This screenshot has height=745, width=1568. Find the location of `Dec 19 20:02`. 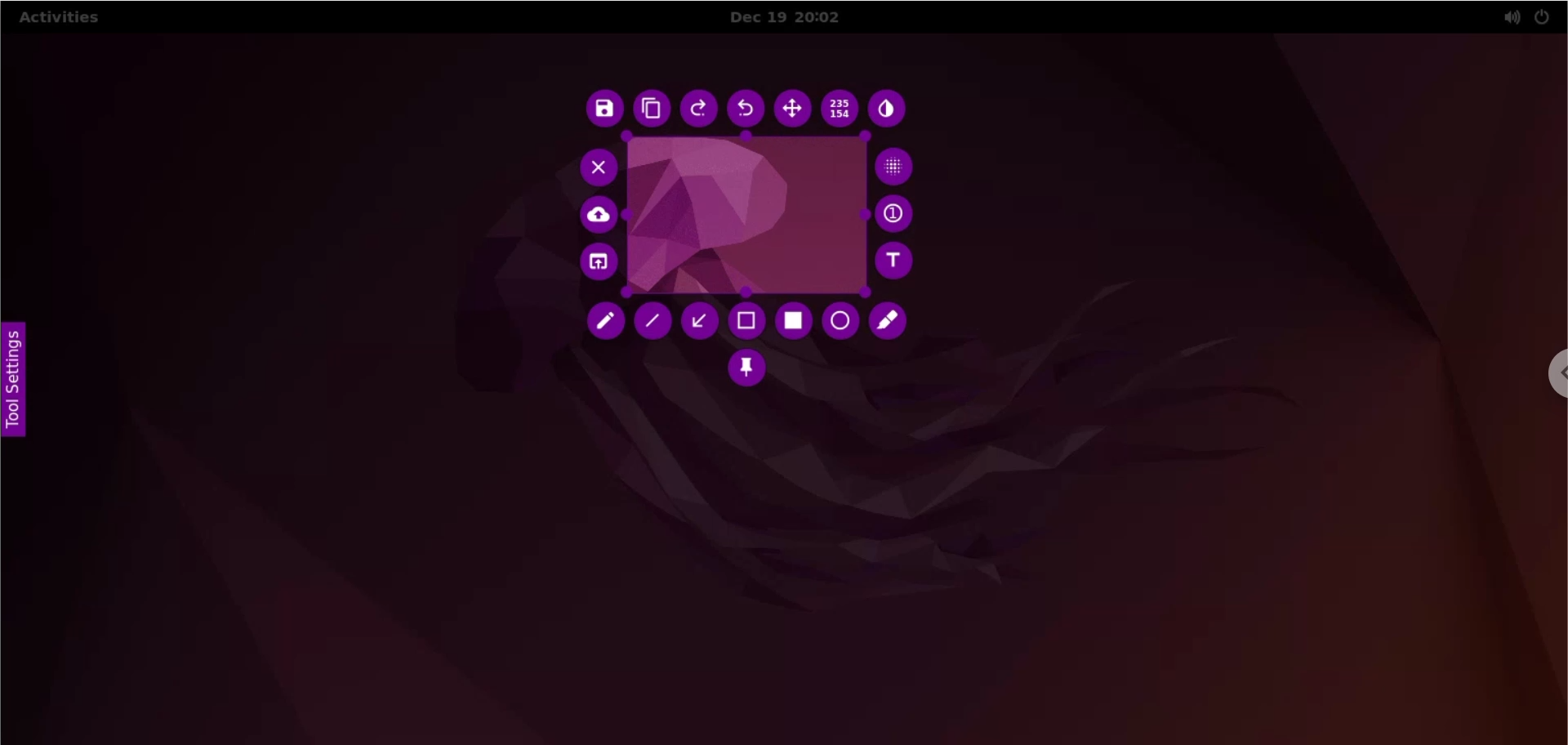

Dec 19 20:02 is located at coordinates (796, 18).